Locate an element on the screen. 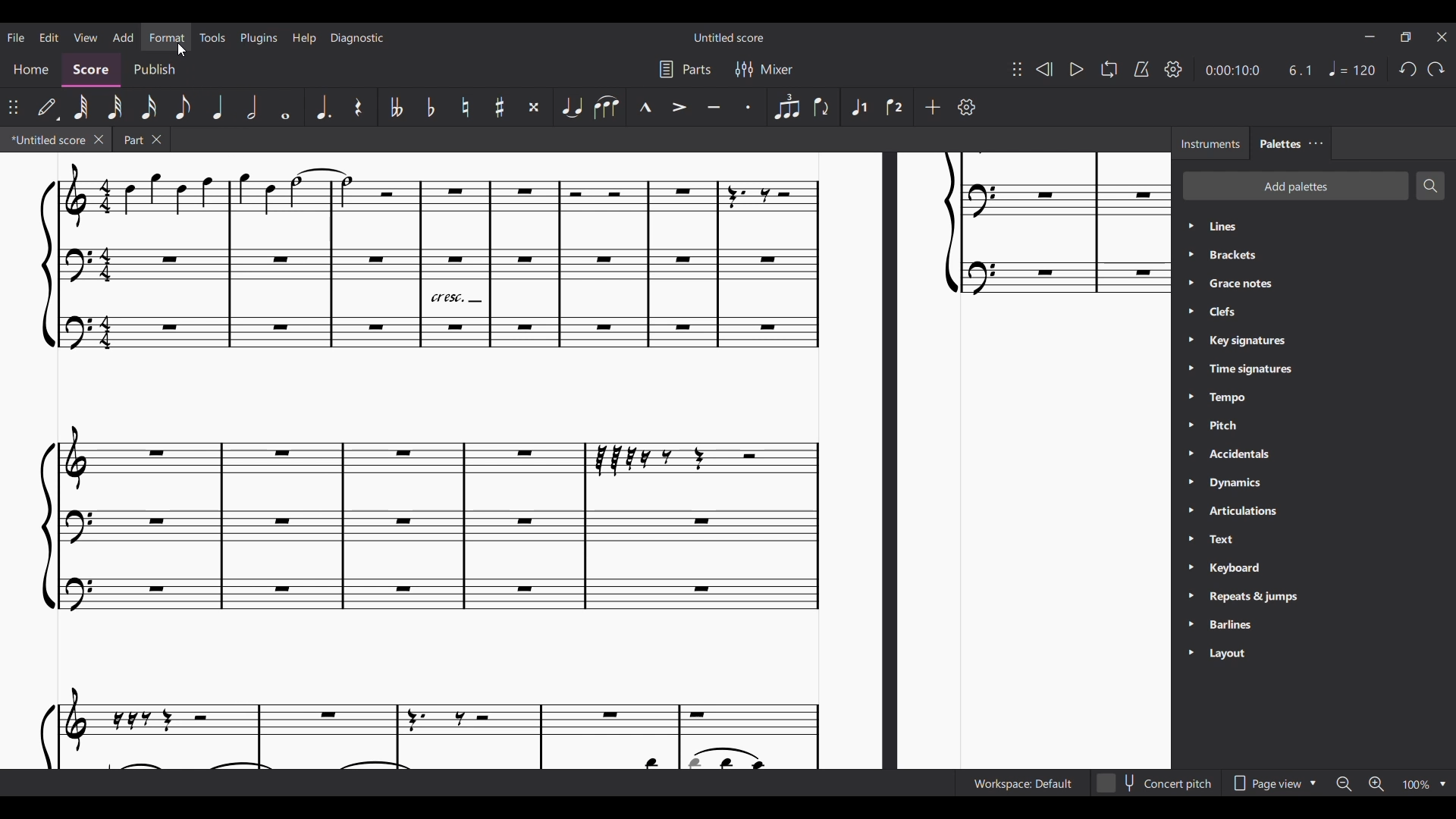 The width and height of the screenshot is (1456, 819). 16th note is located at coordinates (149, 108).